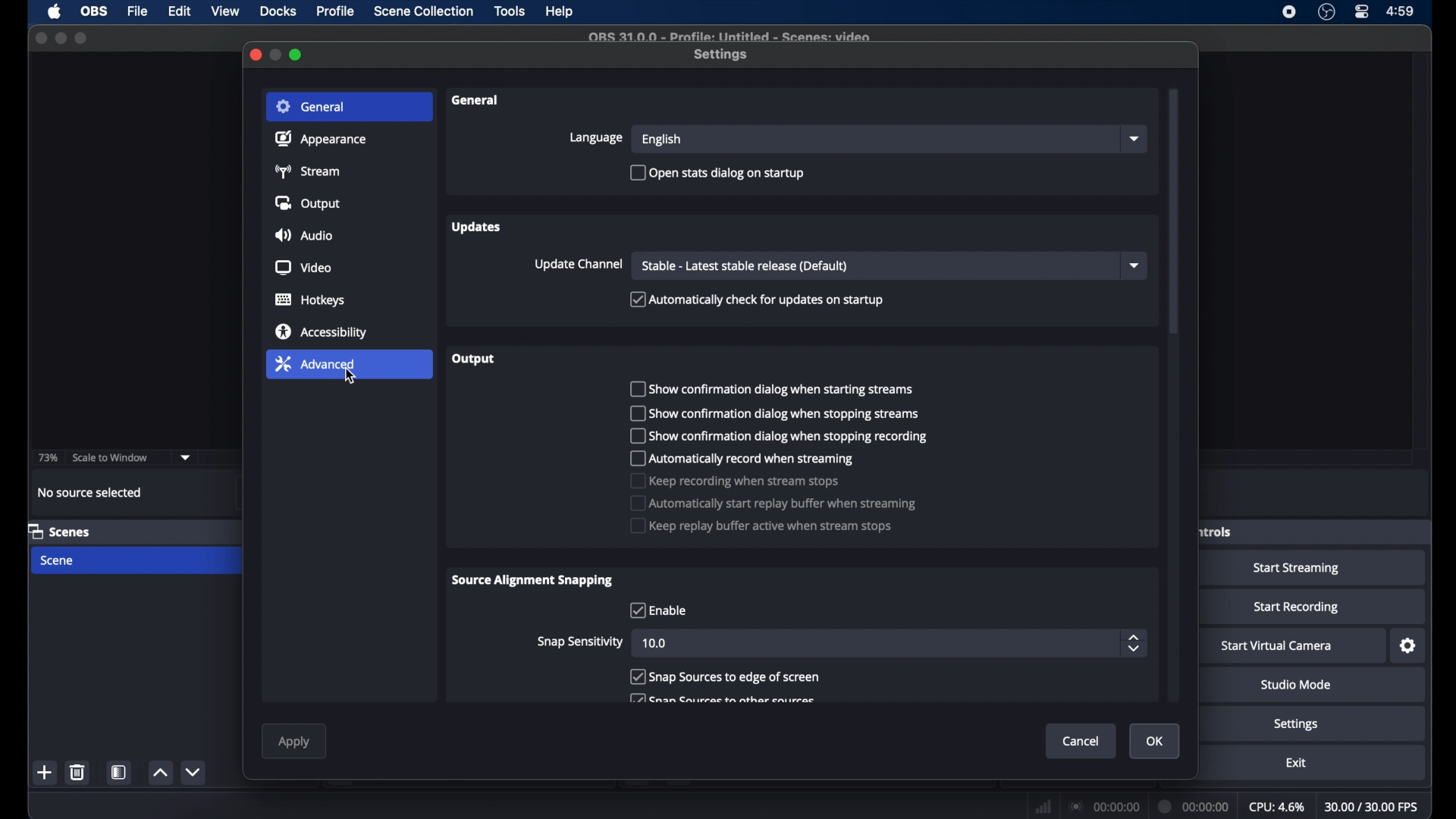 This screenshot has height=819, width=1456. Describe the element at coordinates (1288, 12) in the screenshot. I see `screen recorder icon` at that location.